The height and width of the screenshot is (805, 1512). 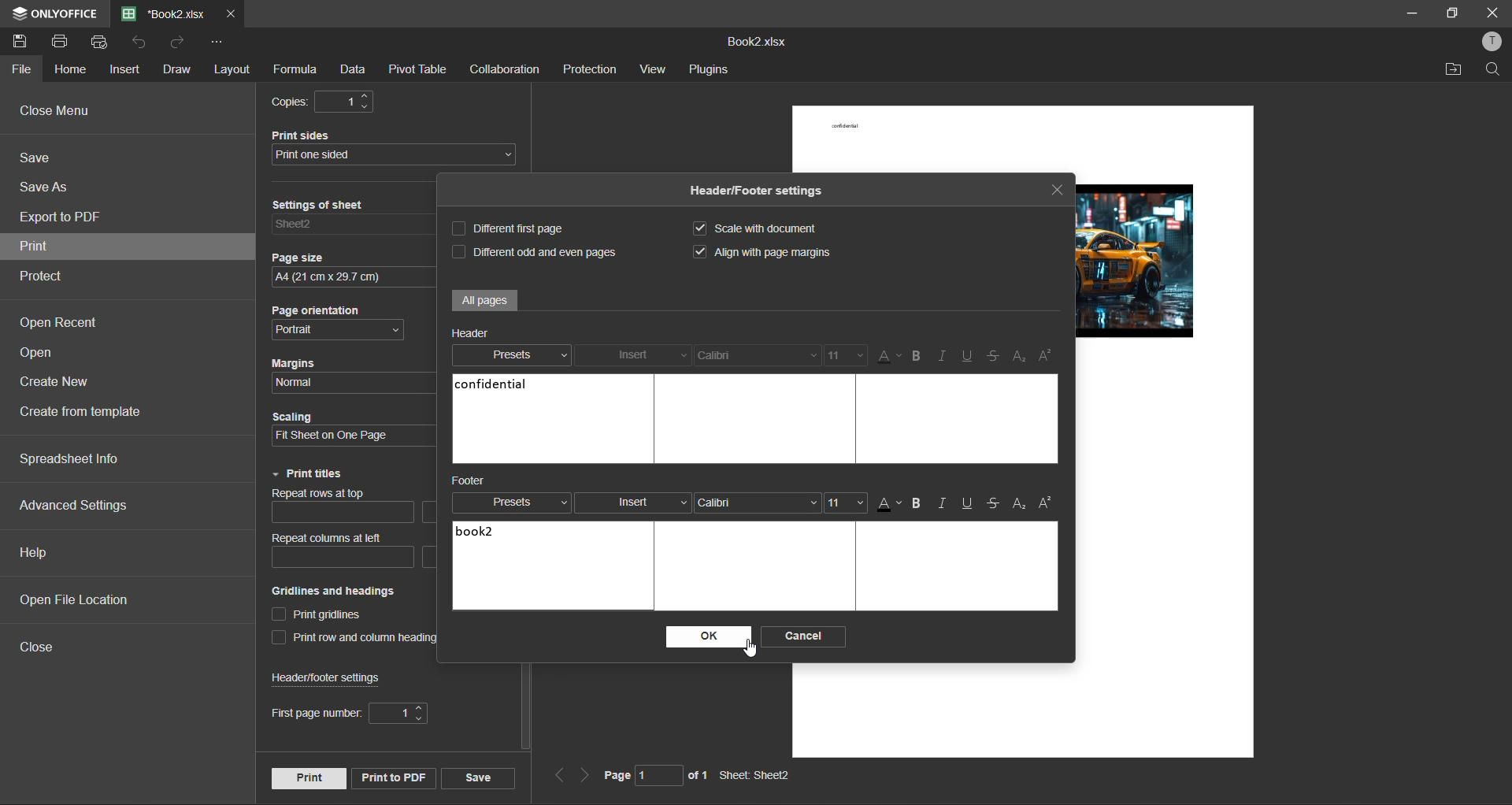 What do you see at coordinates (918, 356) in the screenshot?
I see `bold` at bounding box center [918, 356].